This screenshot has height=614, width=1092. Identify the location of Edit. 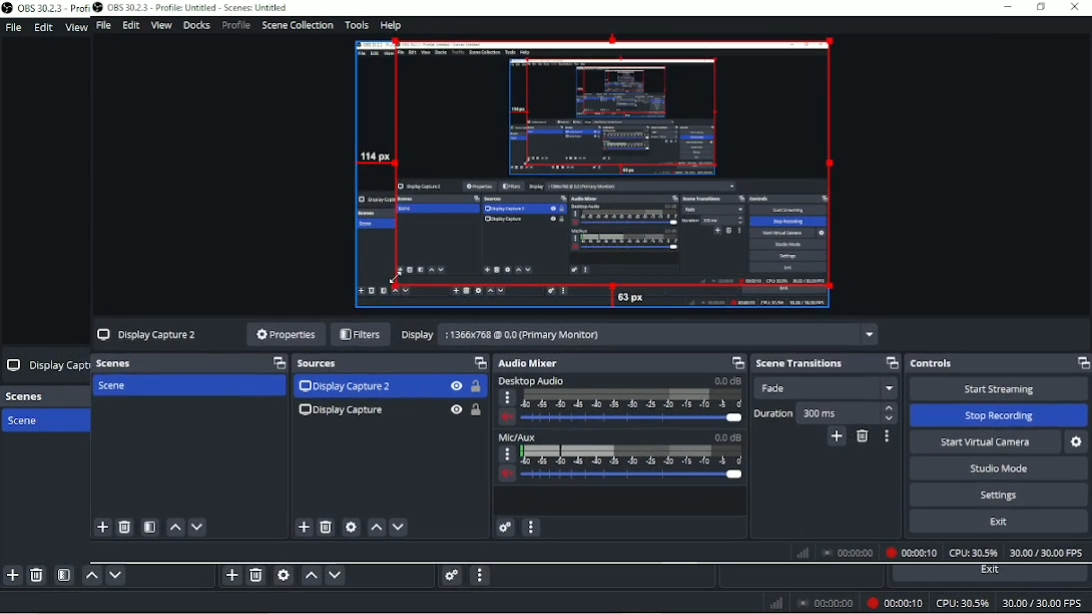
(132, 25).